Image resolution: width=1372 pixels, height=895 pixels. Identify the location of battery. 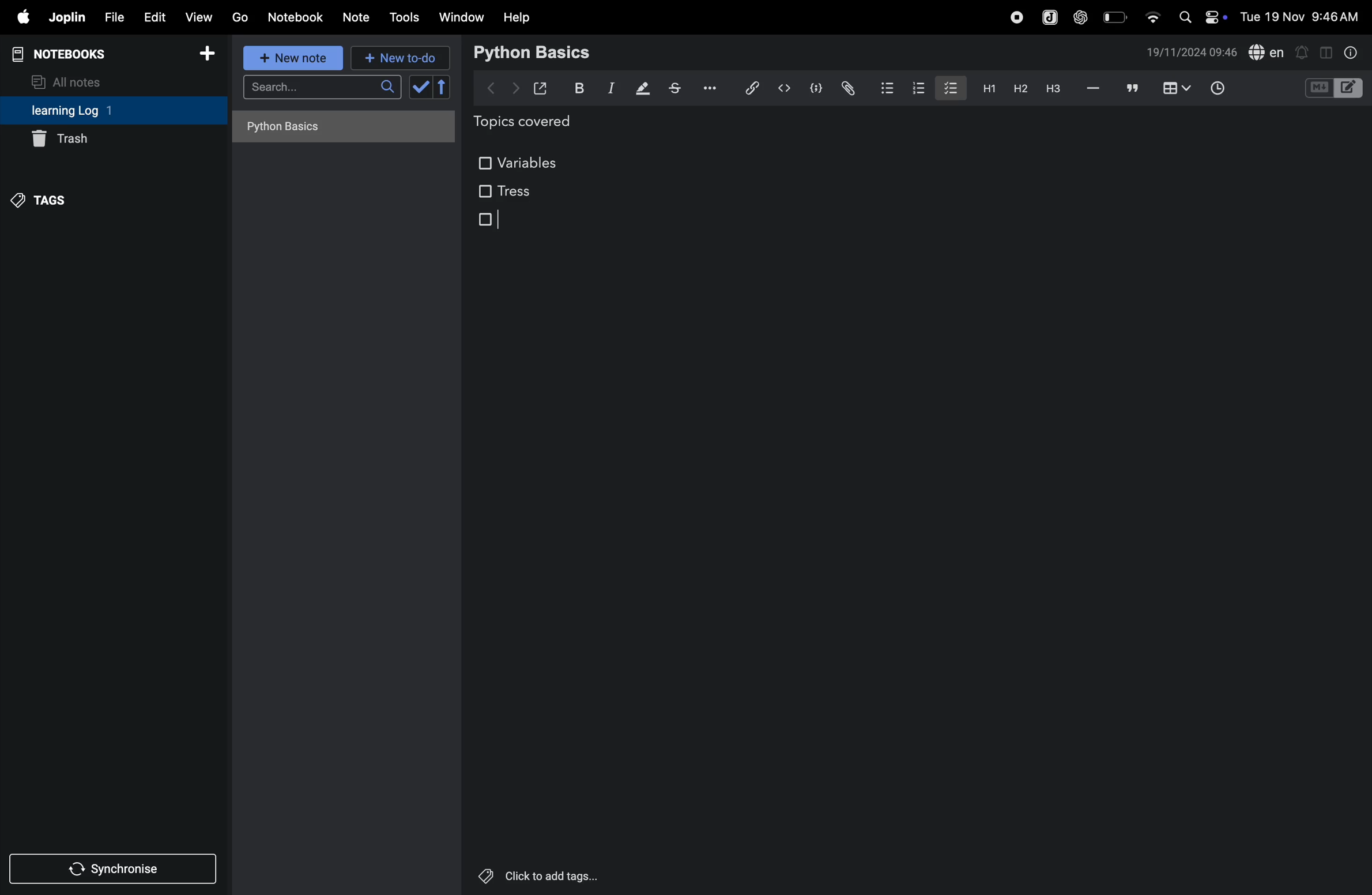
(1116, 16).